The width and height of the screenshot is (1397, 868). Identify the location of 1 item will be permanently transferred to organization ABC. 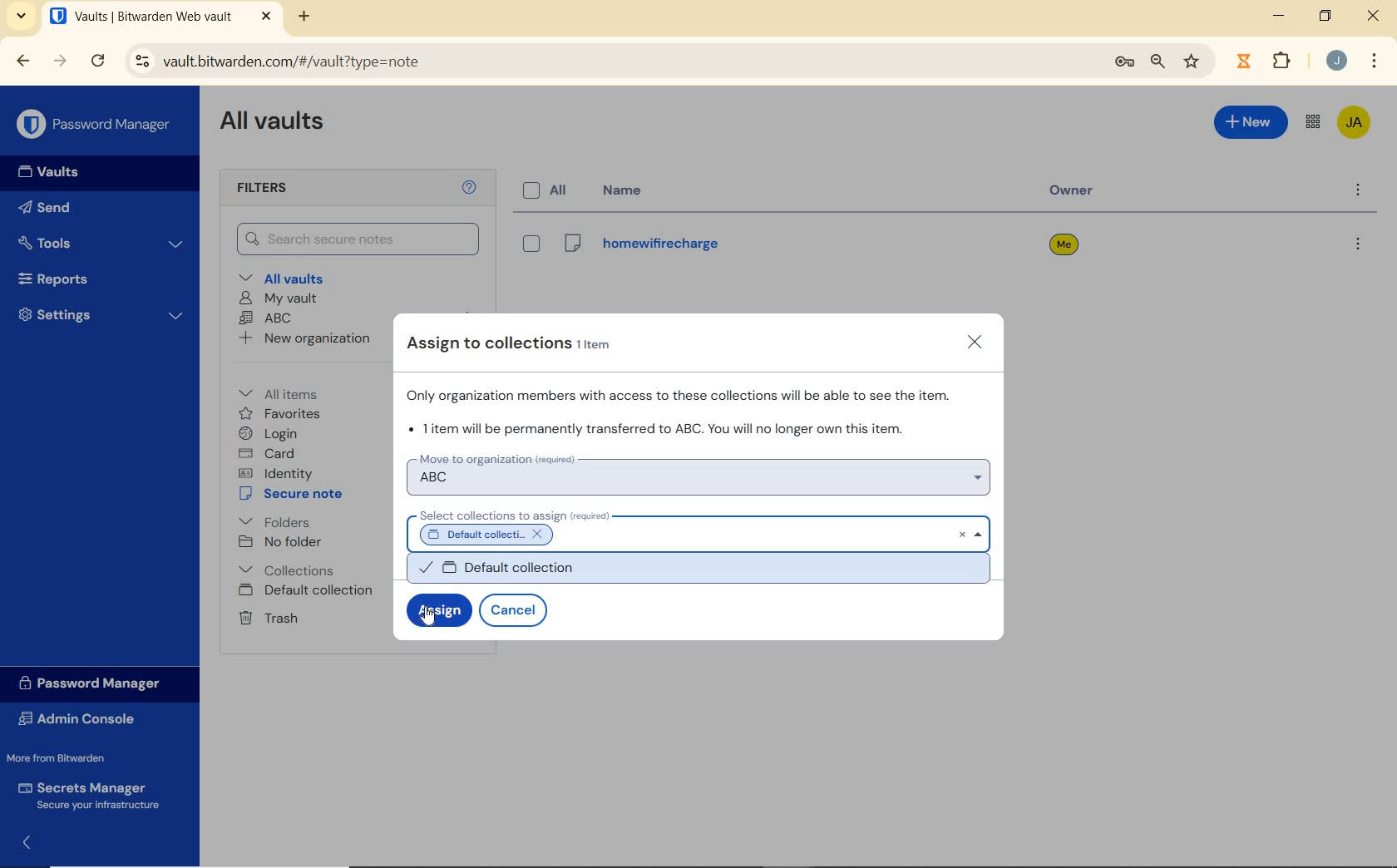
(661, 428).